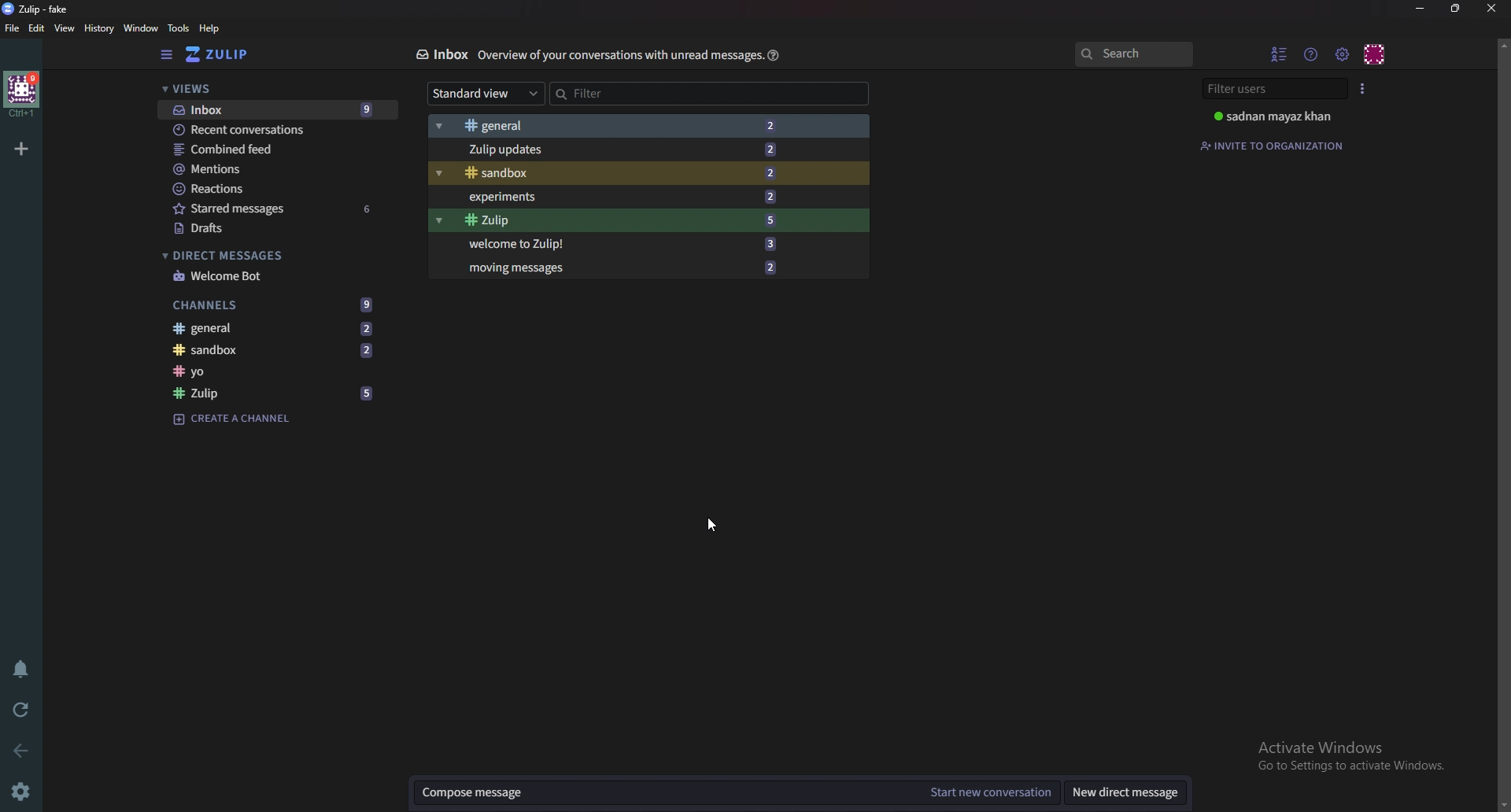 The height and width of the screenshot is (812, 1511). What do you see at coordinates (255, 254) in the screenshot?
I see `Direct messages` at bounding box center [255, 254].